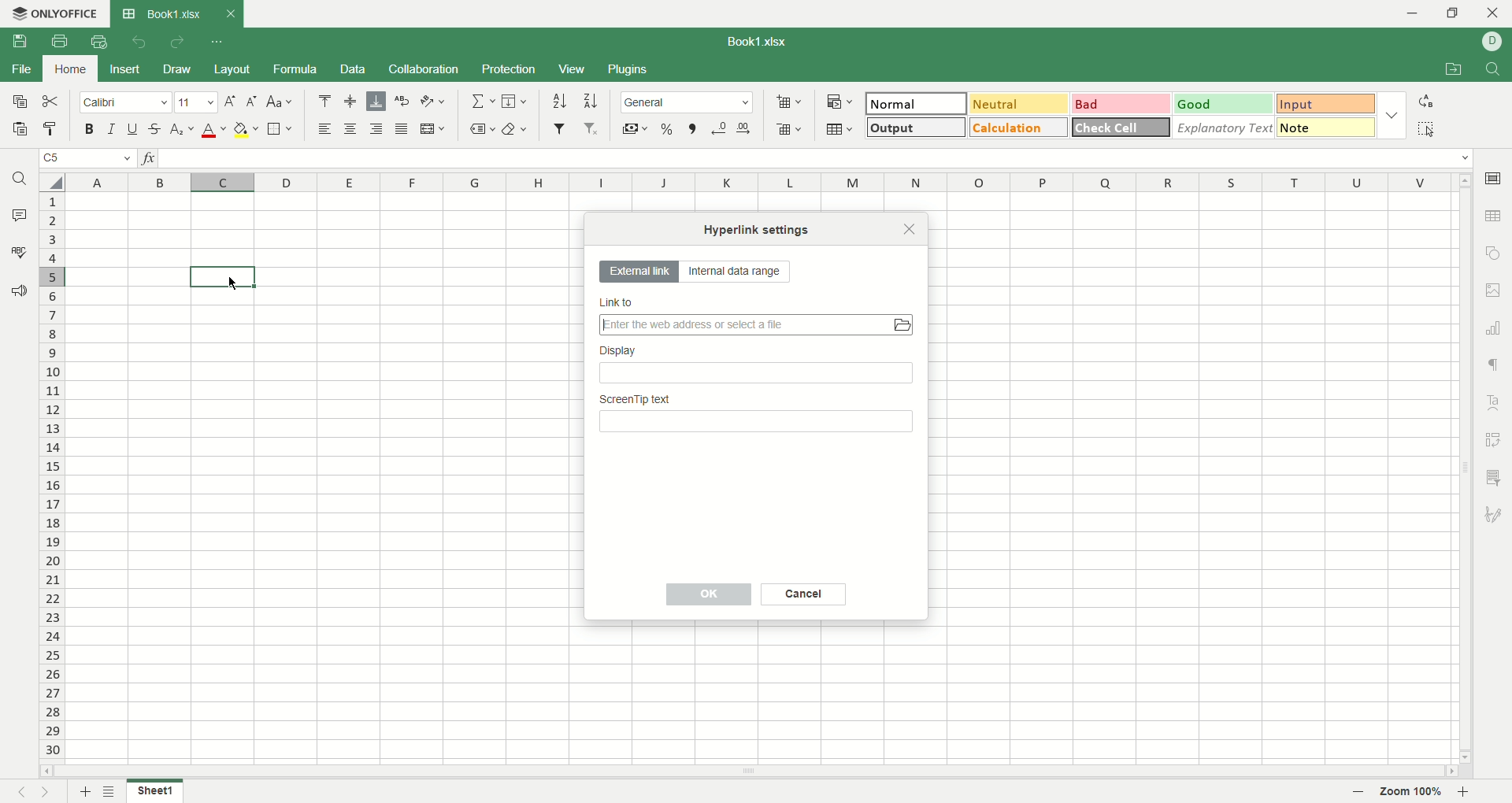  I want to click on redo, so click(176, 43).